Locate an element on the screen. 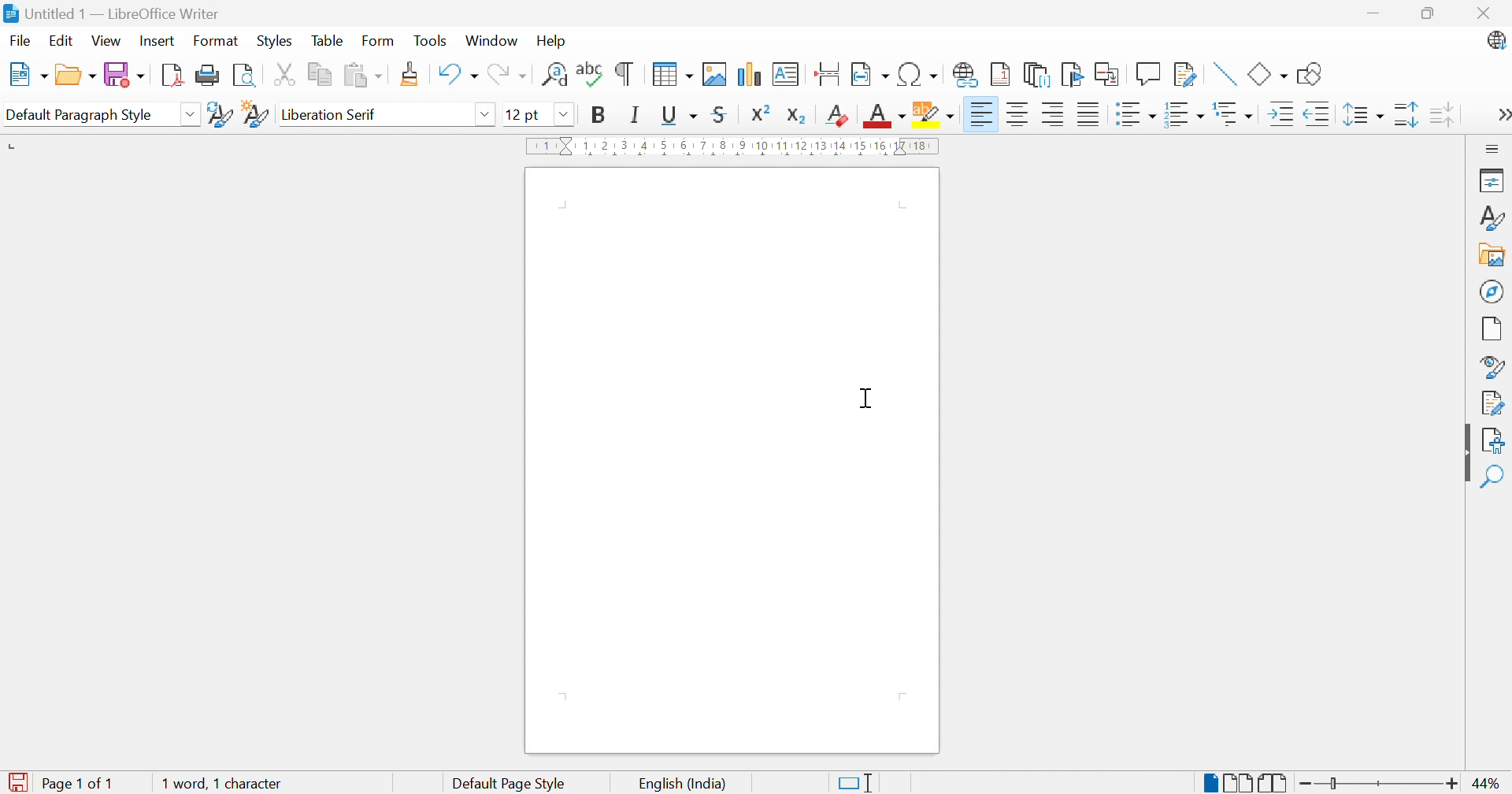 This screenshot has height=794, width=1512. Save is located at coordinates (125, 75).